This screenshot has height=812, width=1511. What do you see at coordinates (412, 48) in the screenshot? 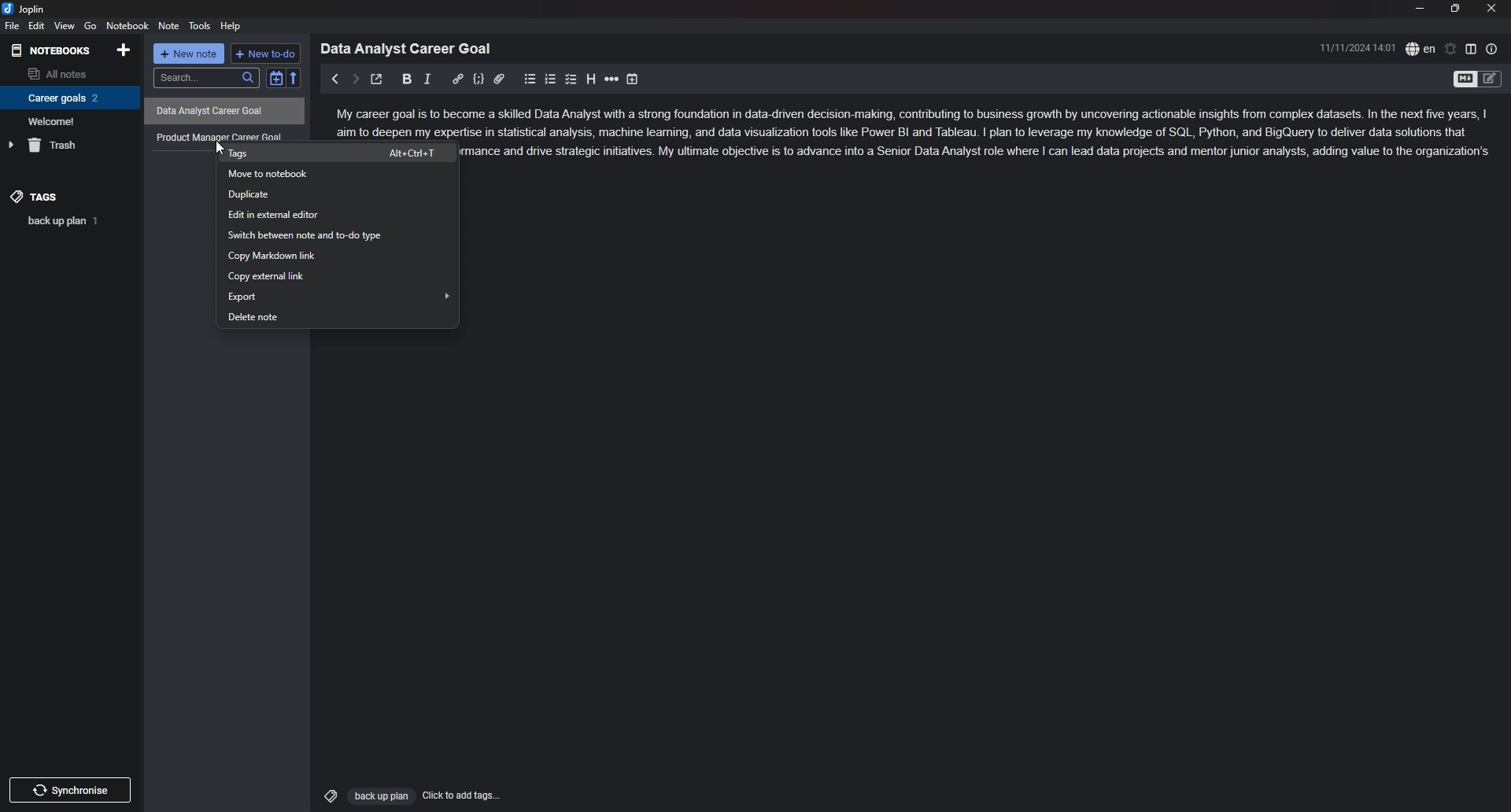
I see `Data Analyst Career Goal` at bounding box center [412, 48].